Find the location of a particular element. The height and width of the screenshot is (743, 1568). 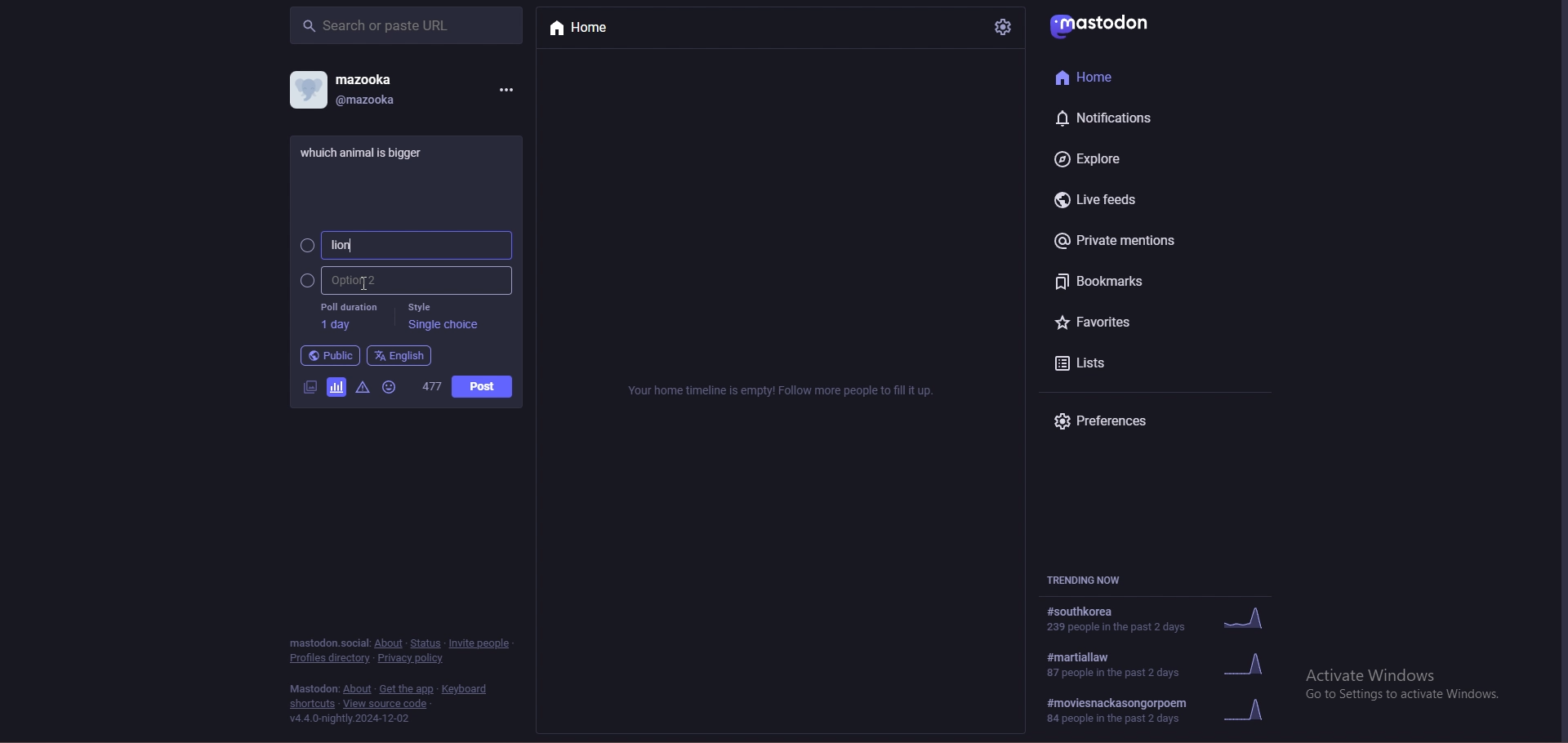

profile is located at coordinates (307, 89).